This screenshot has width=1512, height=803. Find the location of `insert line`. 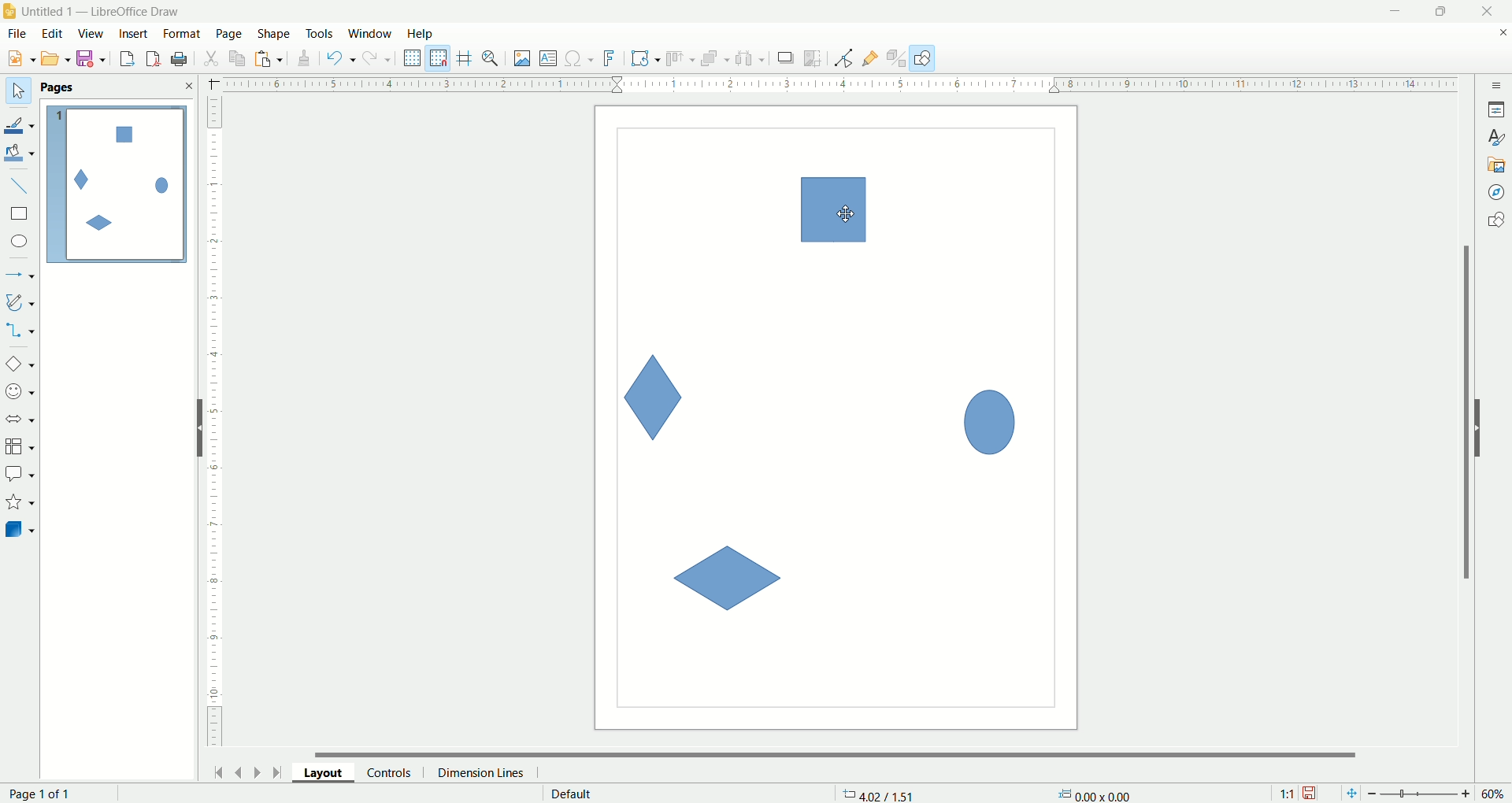

insert line is located at coordinates (22, 187).